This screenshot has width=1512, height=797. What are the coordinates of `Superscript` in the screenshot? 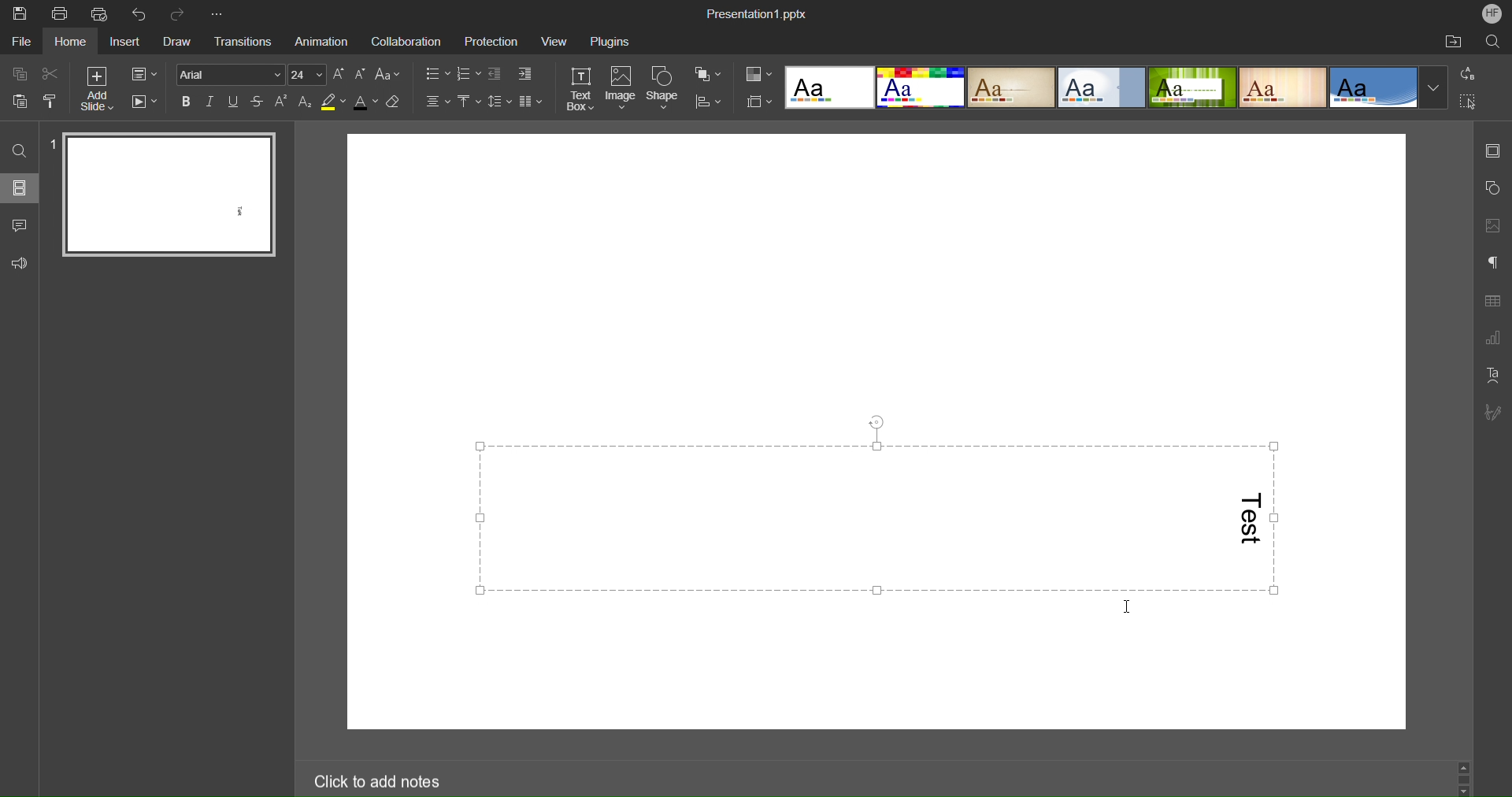 It's located at (281, 102).